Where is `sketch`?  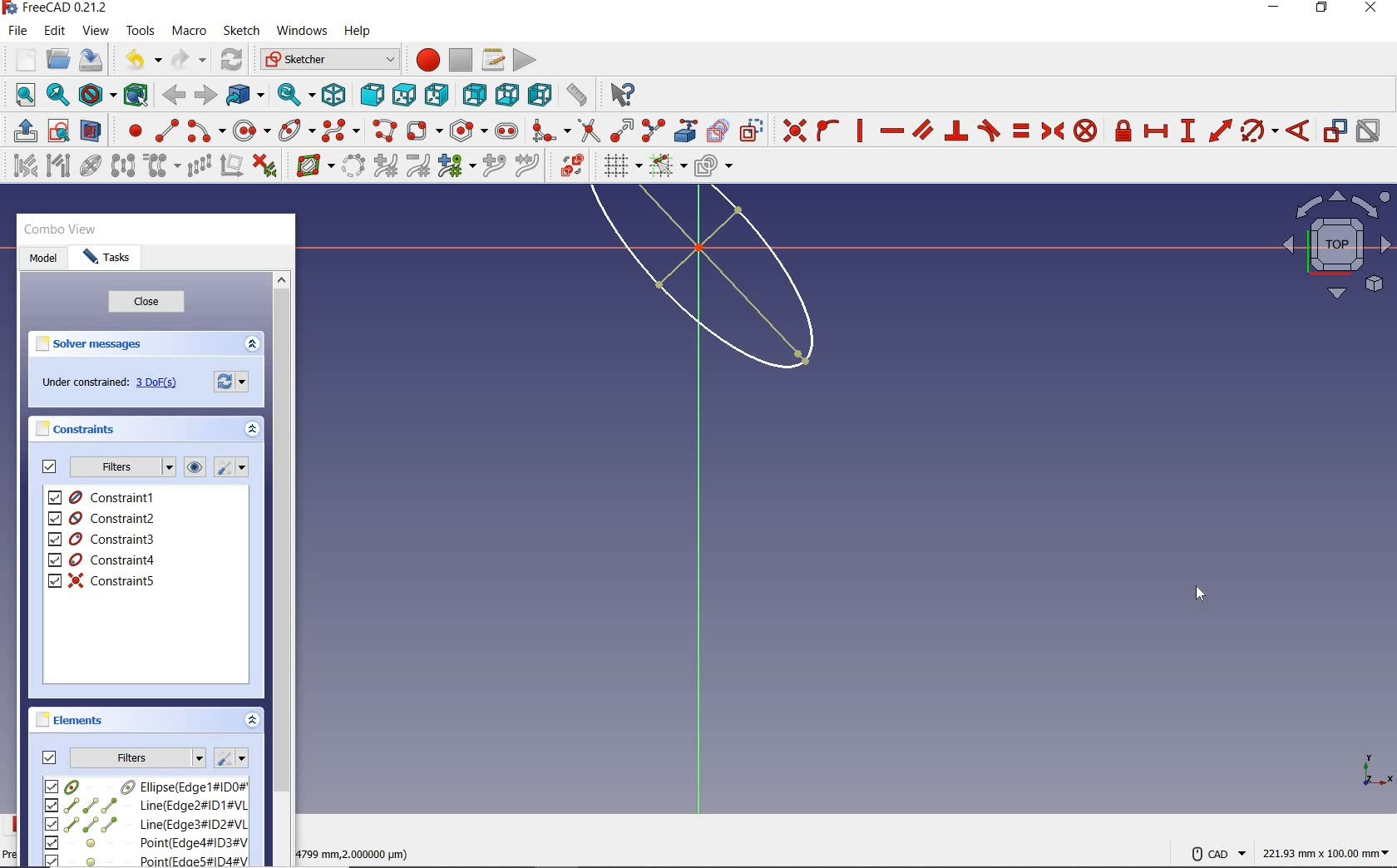 sketch is located at coordinates (240, 31).